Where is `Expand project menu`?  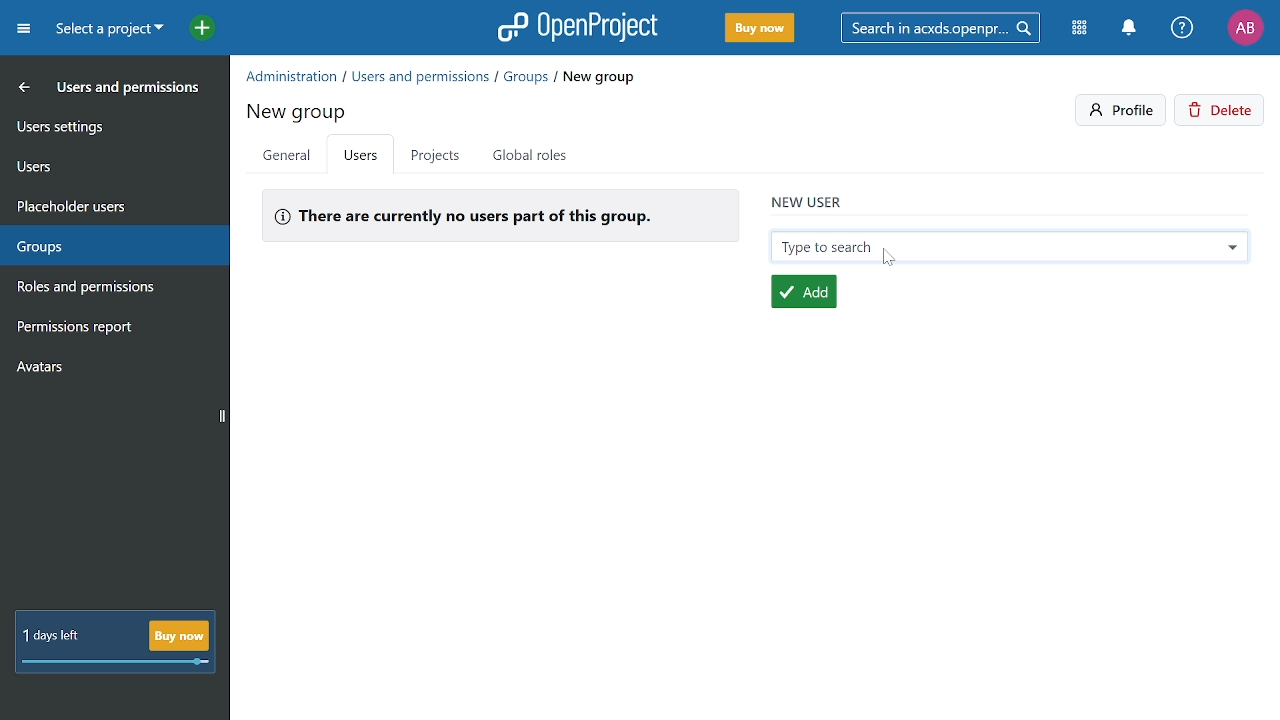
Expand project menu is located at coordinates (23, 28).